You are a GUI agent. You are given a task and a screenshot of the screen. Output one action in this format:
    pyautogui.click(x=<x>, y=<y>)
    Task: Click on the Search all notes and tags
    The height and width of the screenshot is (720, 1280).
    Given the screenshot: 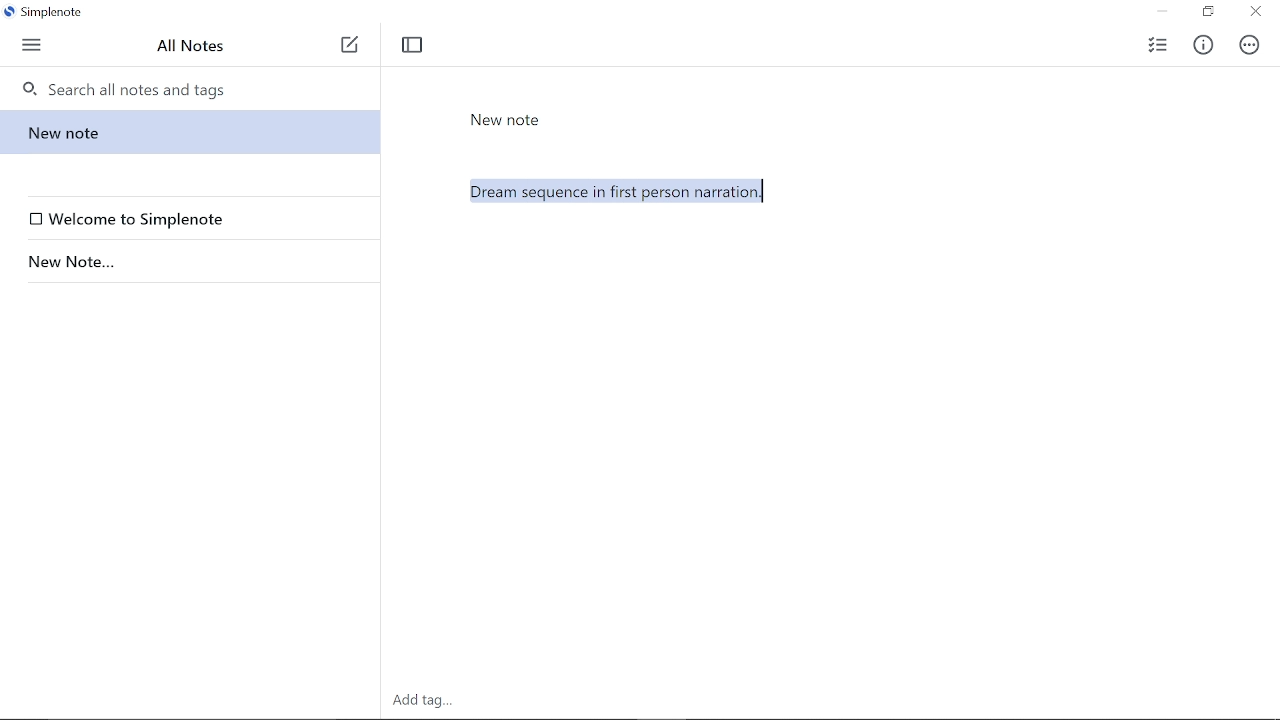 What is the action you would take?
    pyautogui.click(x=197, y=88)
    